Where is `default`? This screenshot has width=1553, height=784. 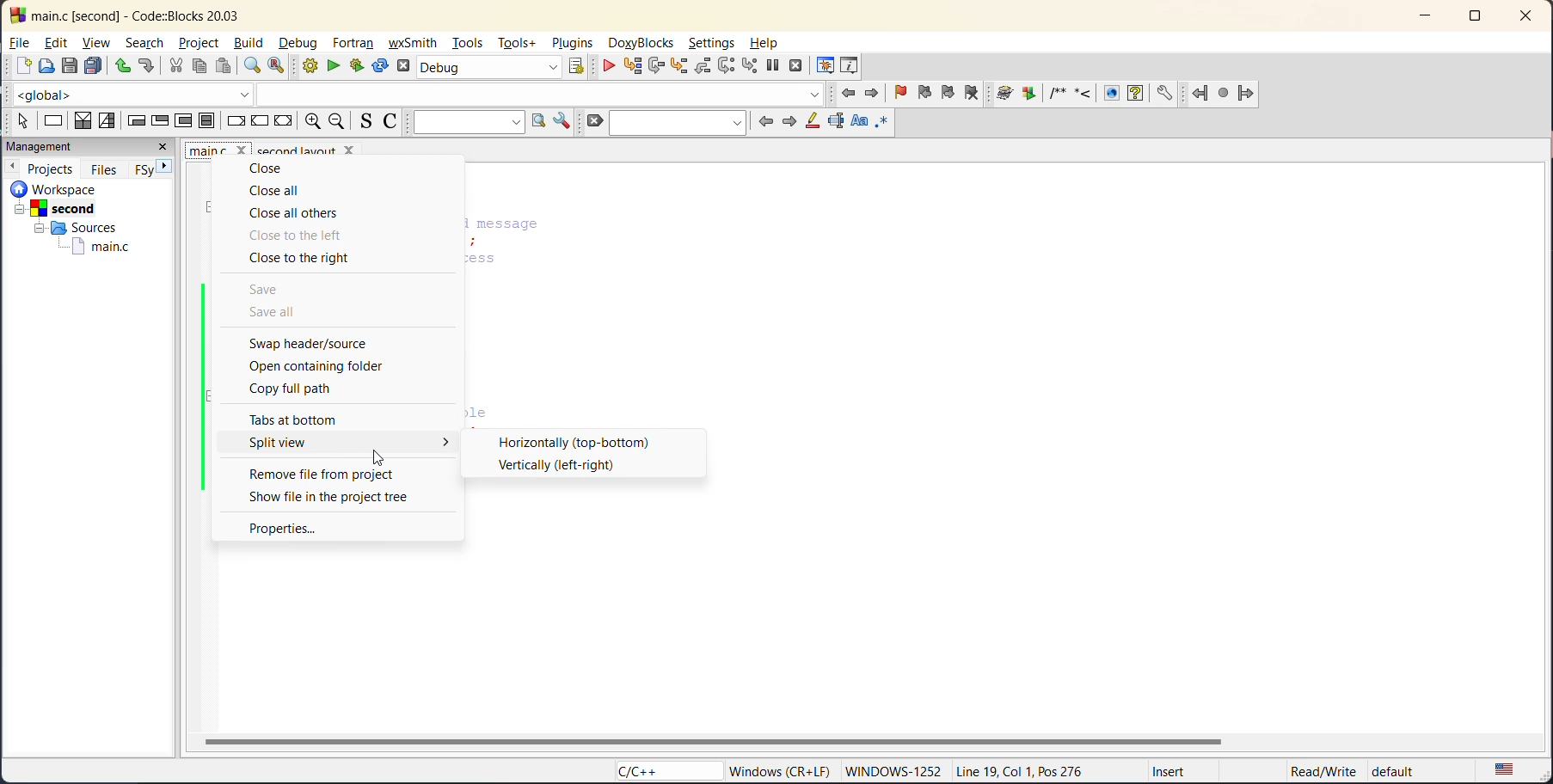 default is located at coordinates (1413, 768).